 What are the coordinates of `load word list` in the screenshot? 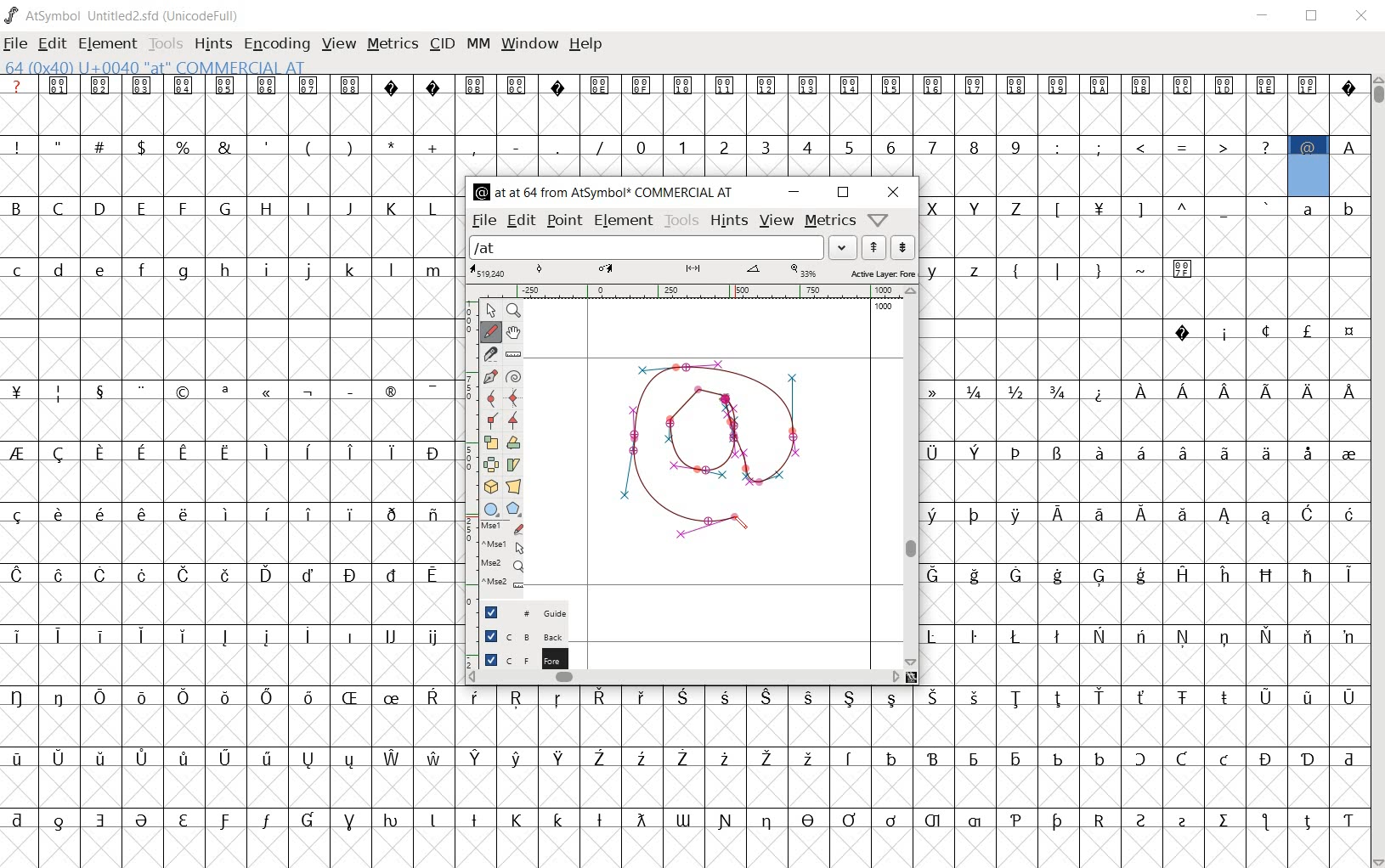 It's located at (647, 247).